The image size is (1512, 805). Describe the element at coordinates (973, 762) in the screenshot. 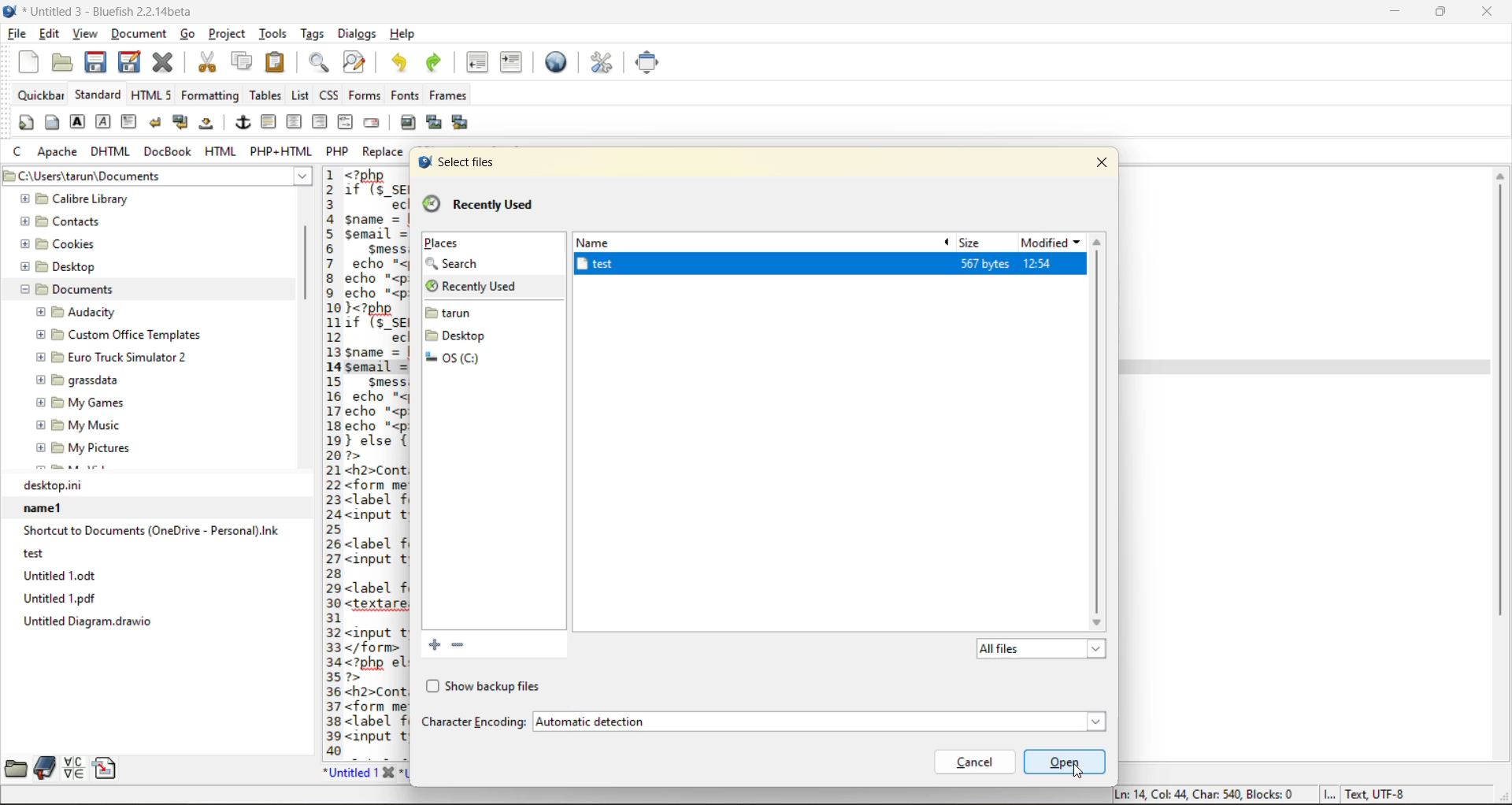

I see `cancel` at that location.